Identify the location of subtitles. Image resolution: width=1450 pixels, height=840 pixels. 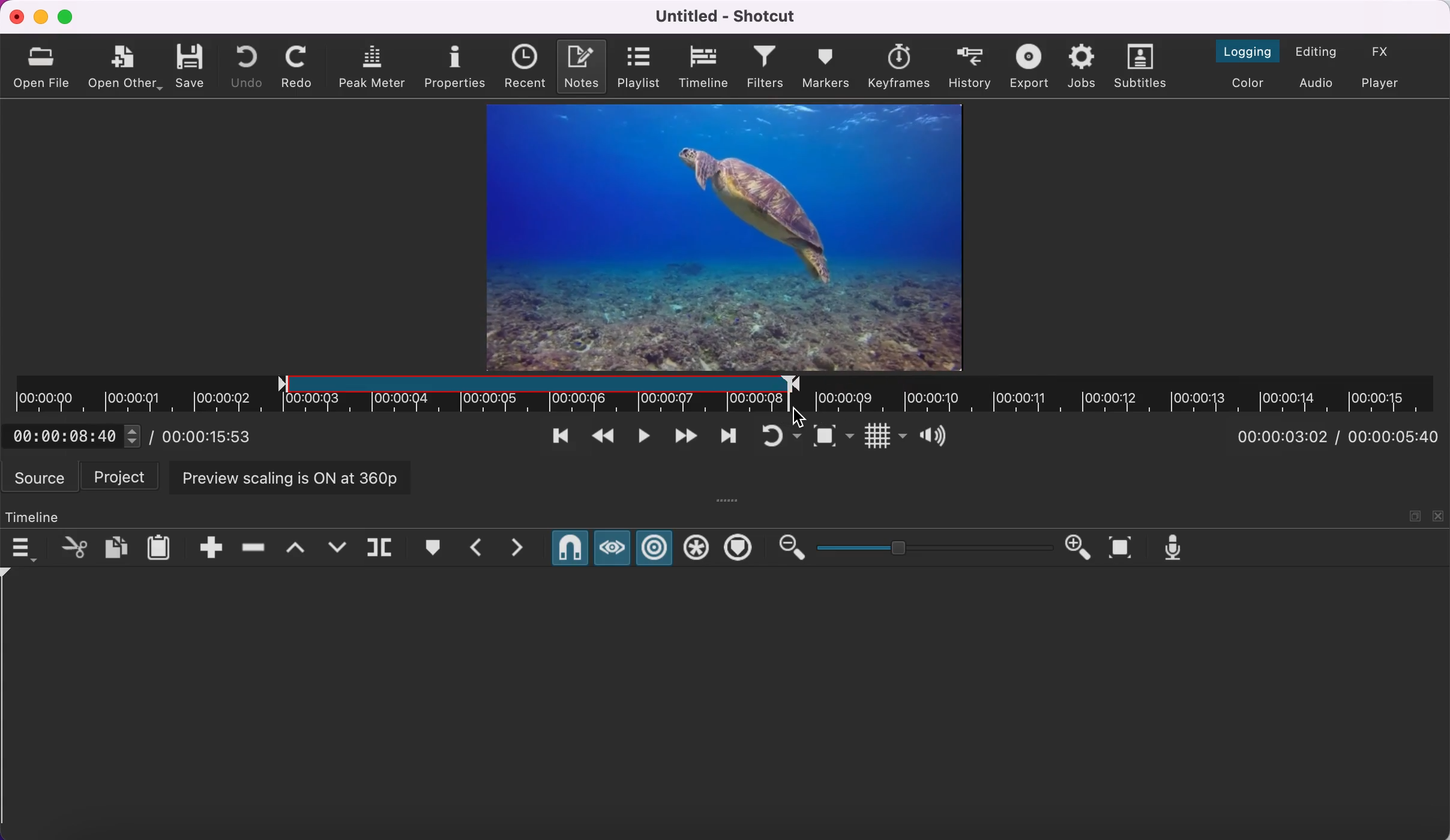
(1145, 67).